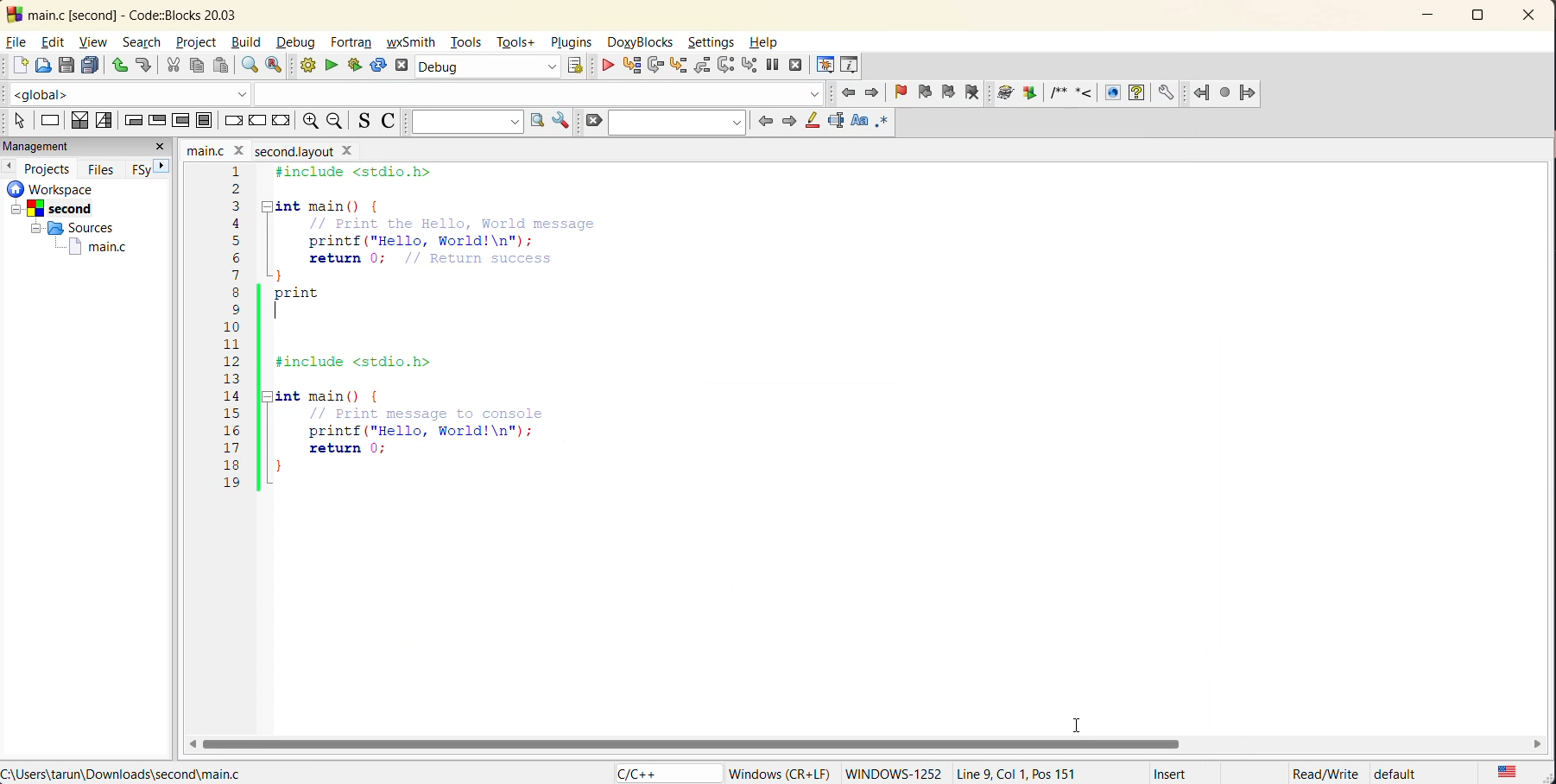 Image resolution: width=1556 pixels, height=784 pixels. I want to click on close, so click(351, 153).